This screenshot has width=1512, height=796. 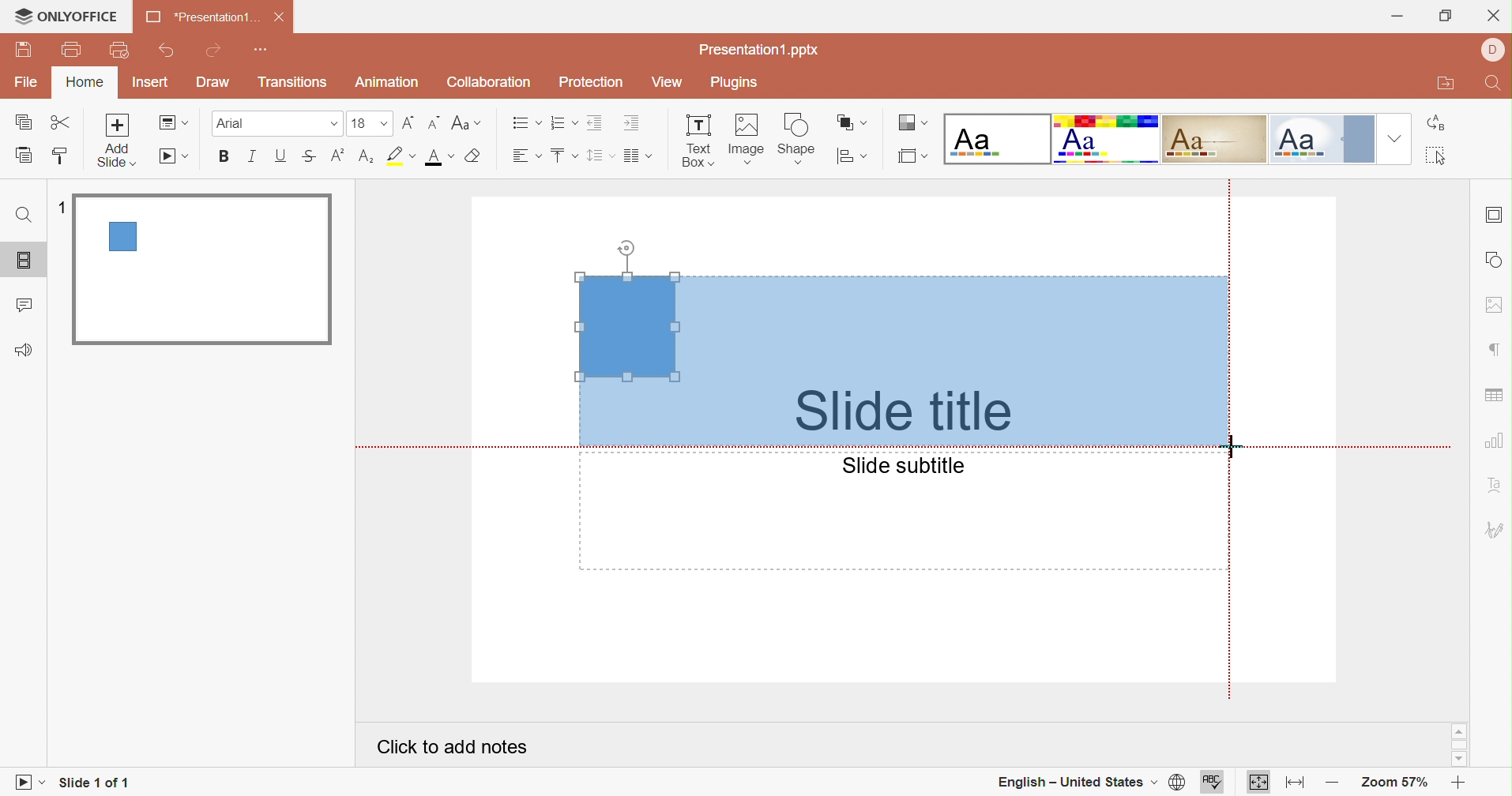 I want to click on text box, so click(x=627, y=326).